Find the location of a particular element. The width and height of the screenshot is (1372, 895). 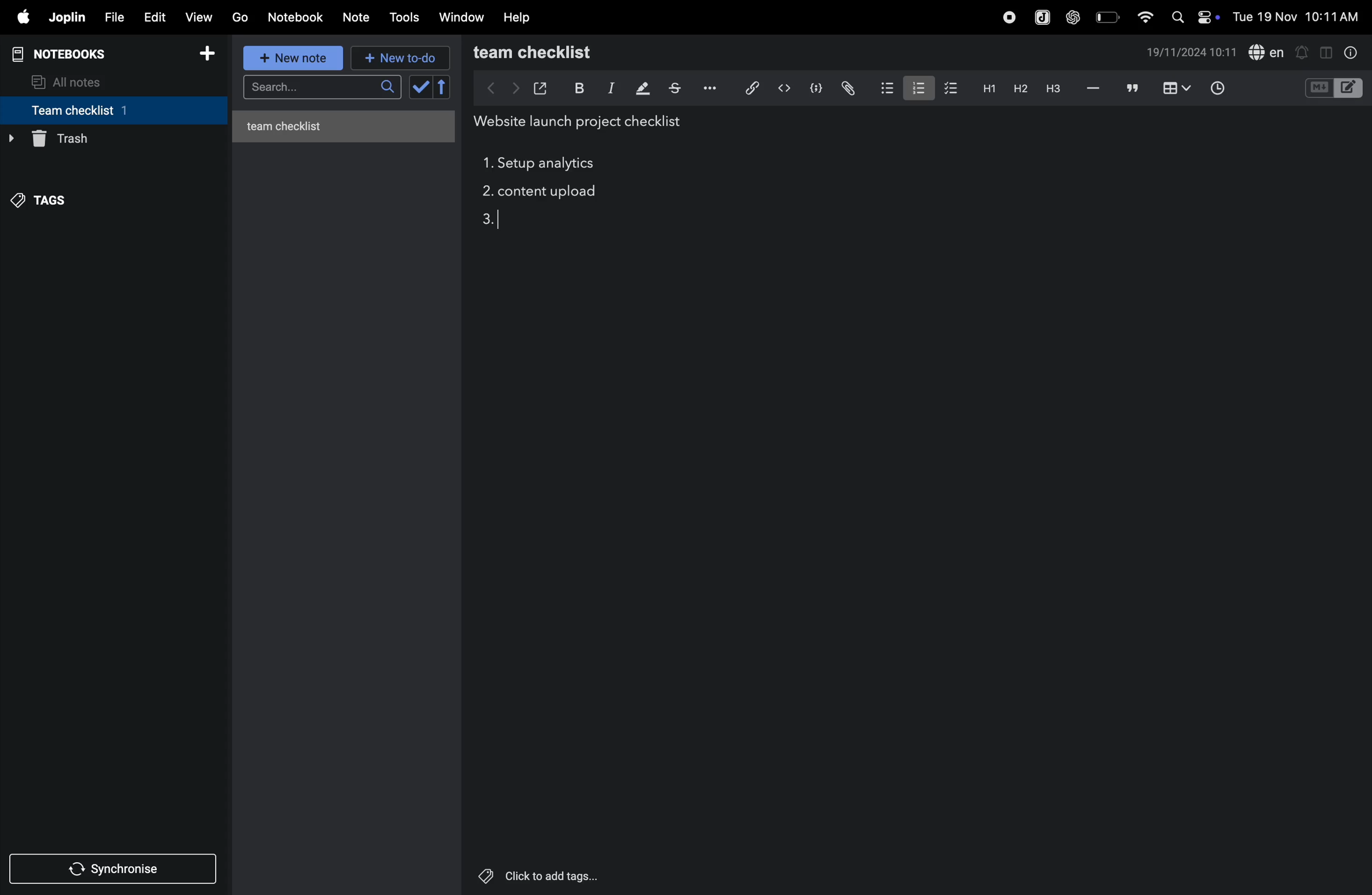

inline code is located at coordinates (784, 88).